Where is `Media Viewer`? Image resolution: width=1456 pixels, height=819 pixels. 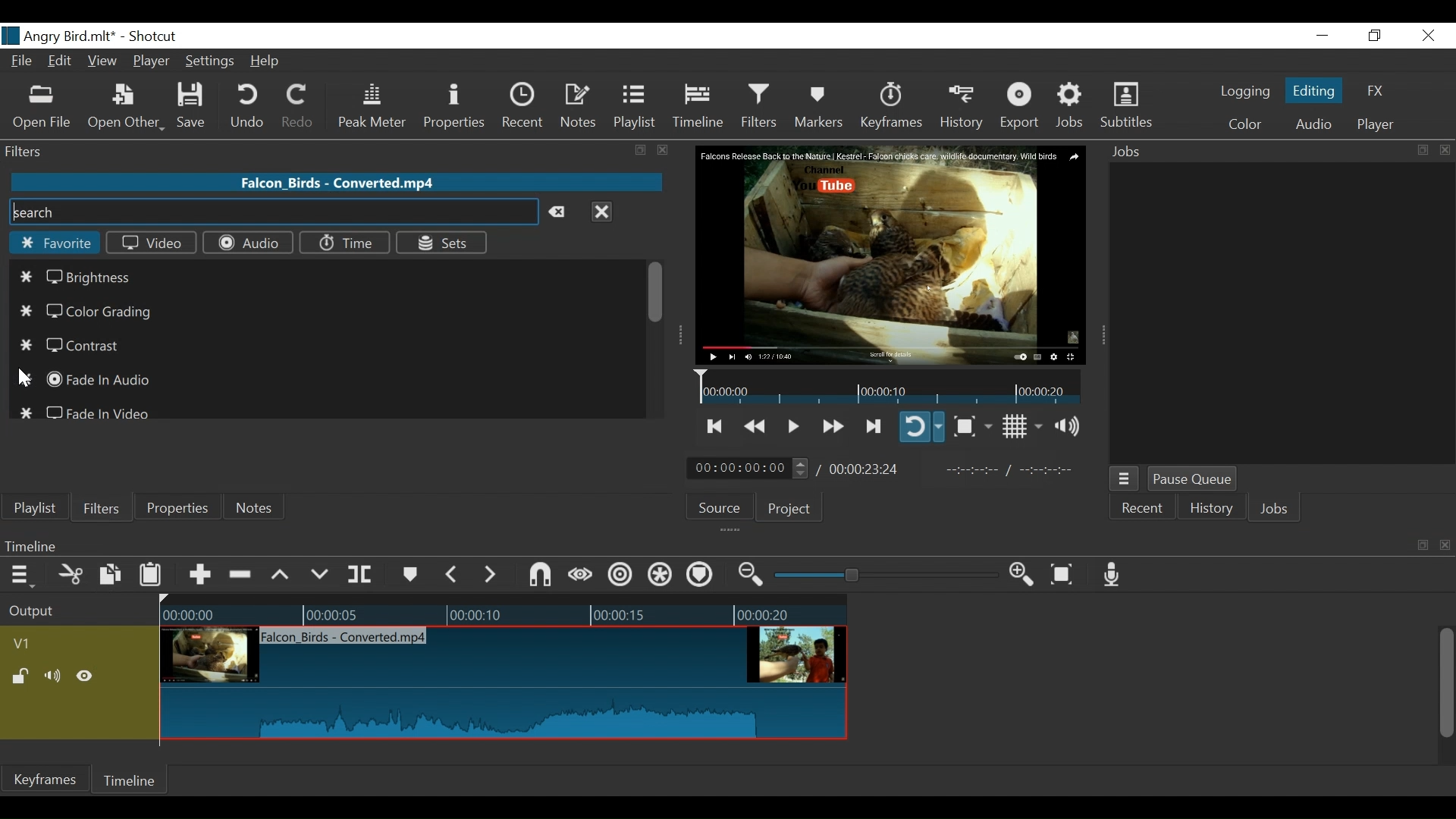
Media Viewer is located at coordinates (891, 256).